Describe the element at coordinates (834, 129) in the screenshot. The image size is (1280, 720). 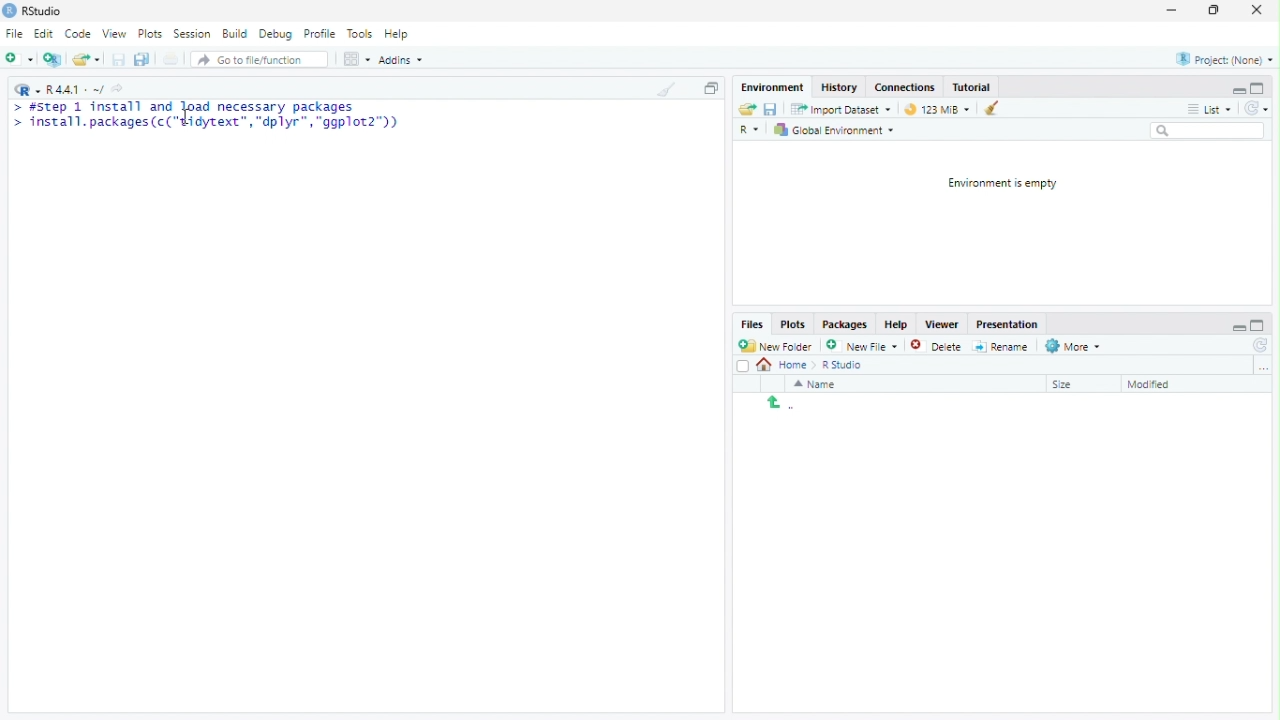
I see `Global Environment` at that location.